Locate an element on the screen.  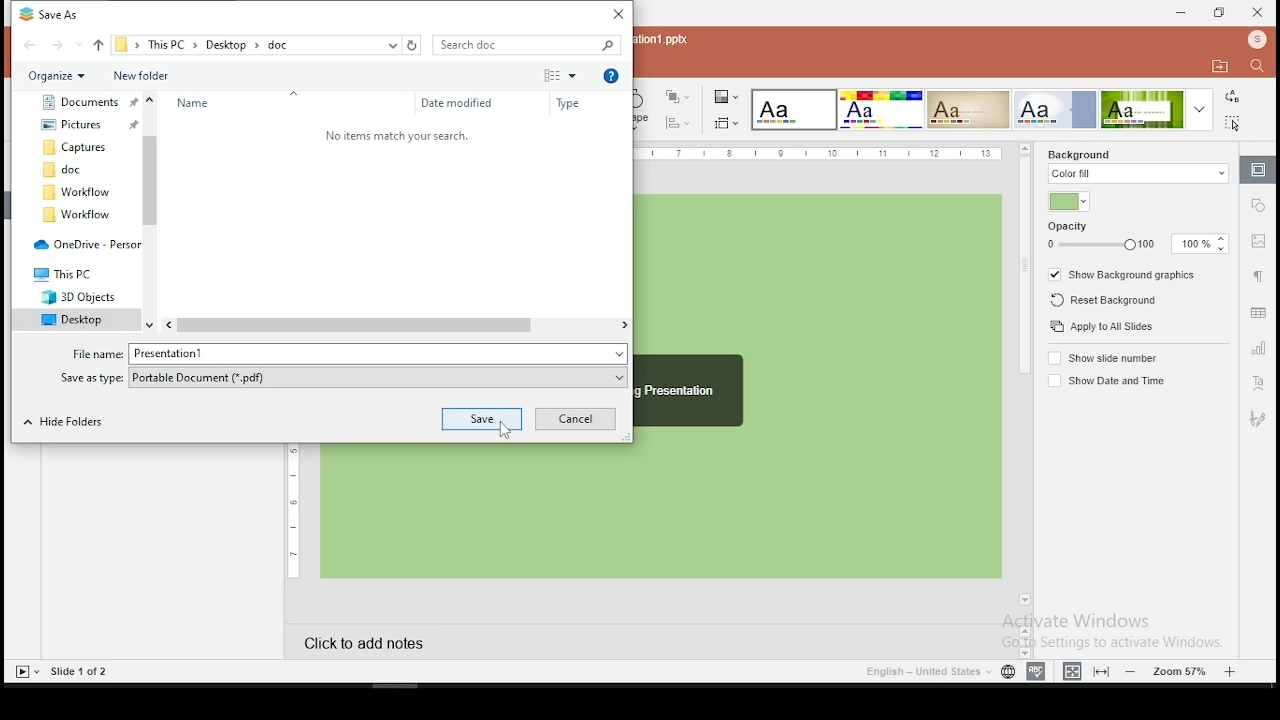
arrange objects is located at coordinates (678, 96).